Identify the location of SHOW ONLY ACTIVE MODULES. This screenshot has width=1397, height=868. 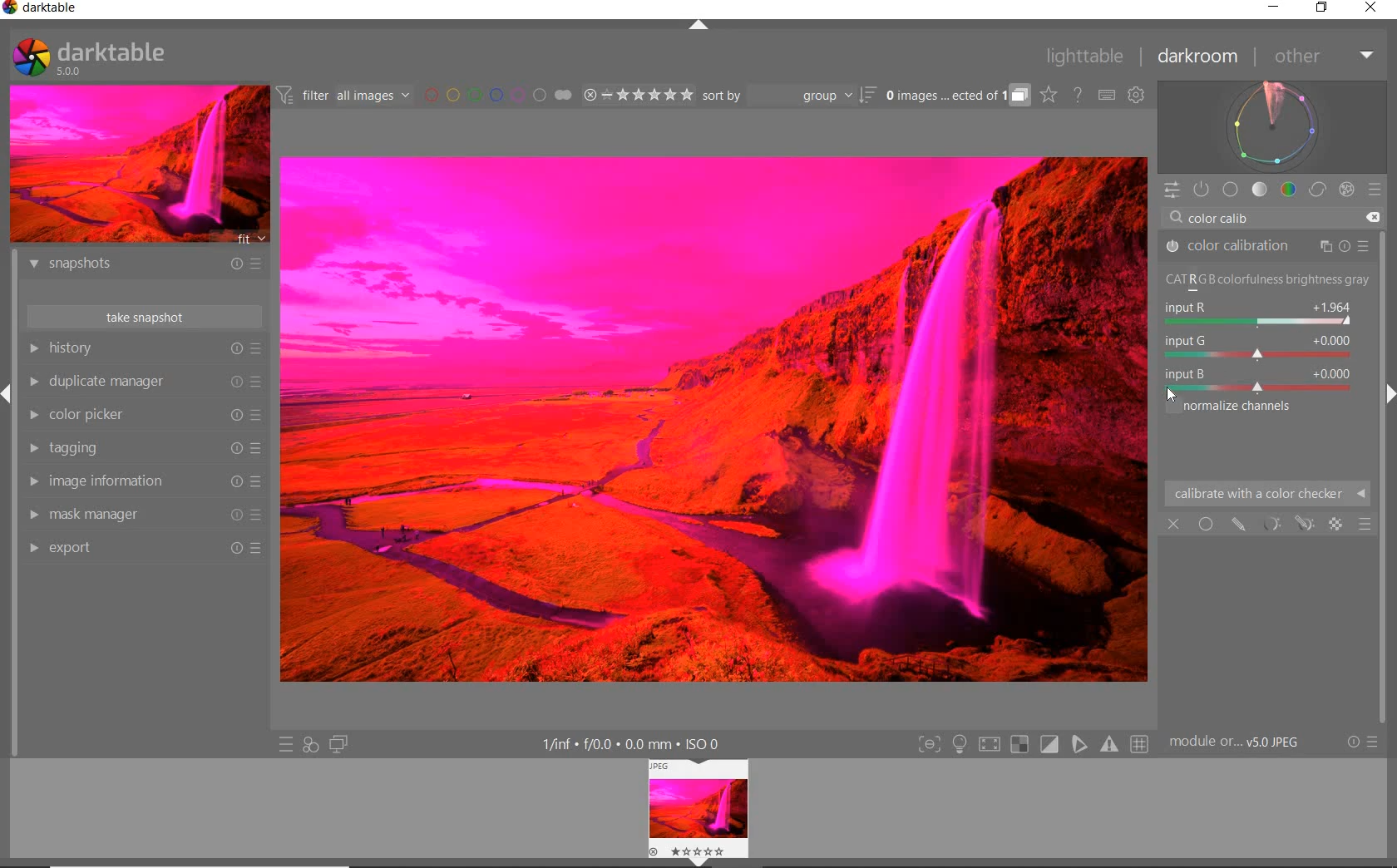
(1202, 190).